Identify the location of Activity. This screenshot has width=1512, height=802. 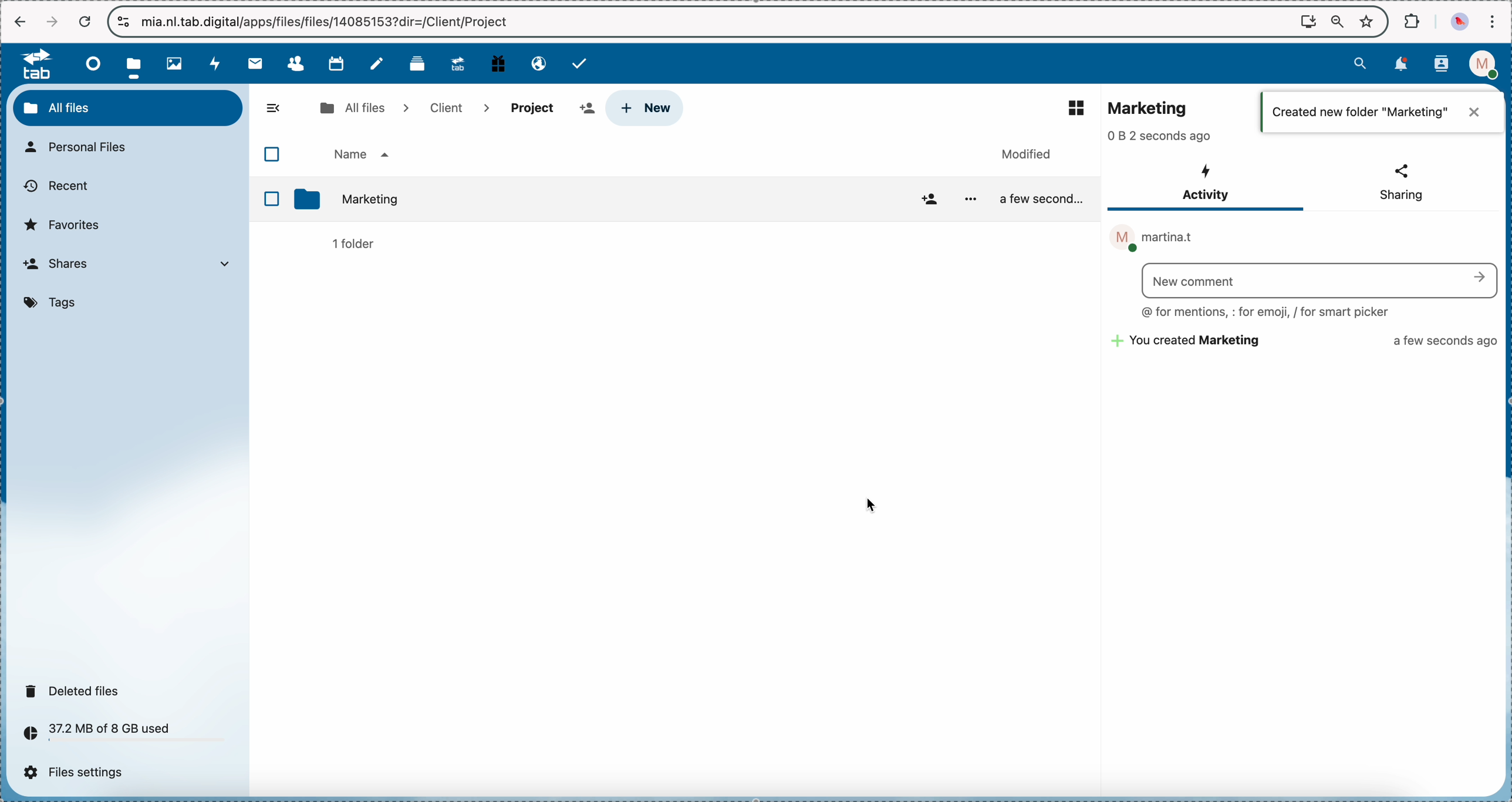
(1209, 186).